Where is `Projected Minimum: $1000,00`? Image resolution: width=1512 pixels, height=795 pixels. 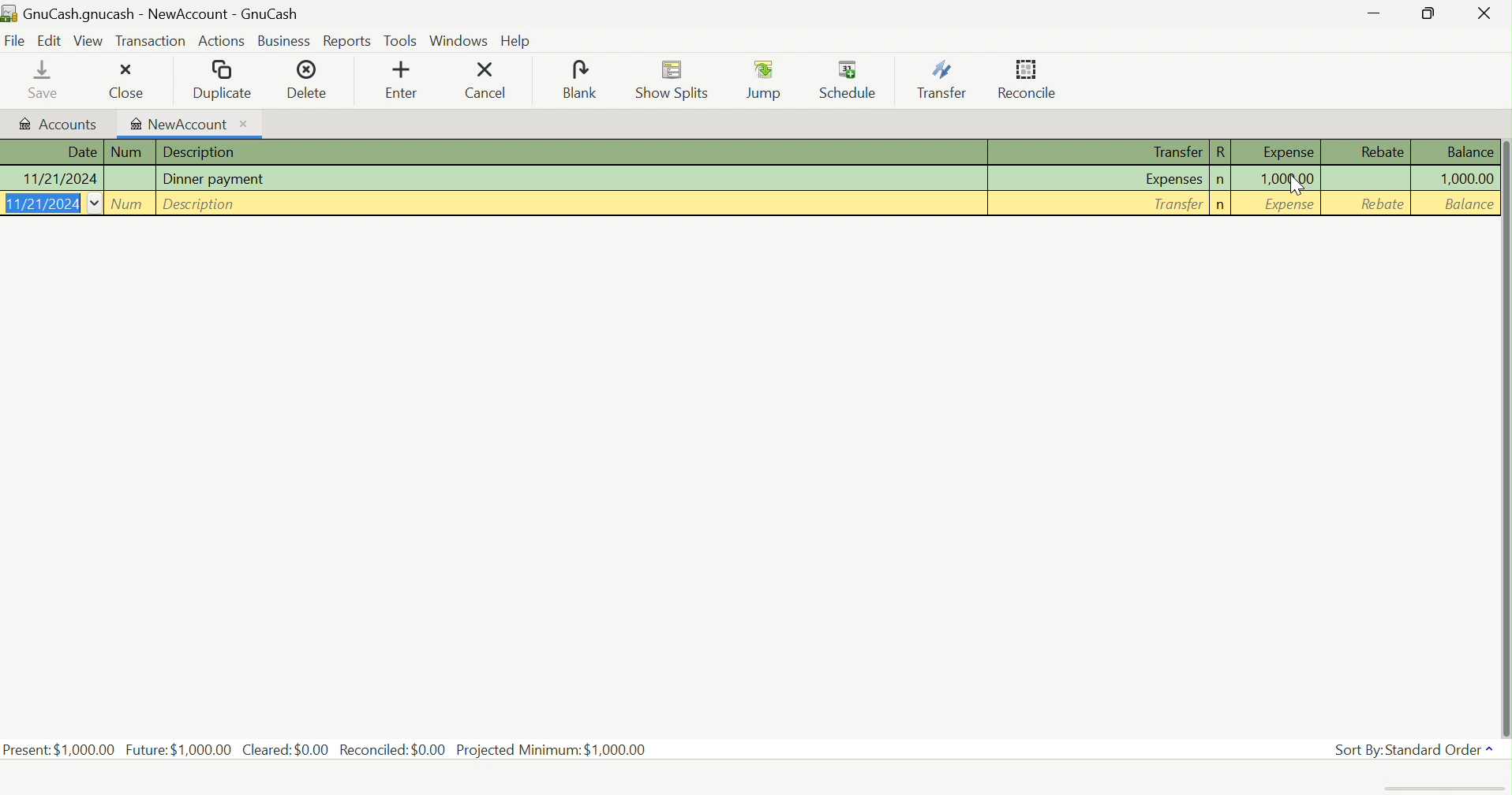 Projected Minimum: $1000,00 is located at coordinates (551, 749).